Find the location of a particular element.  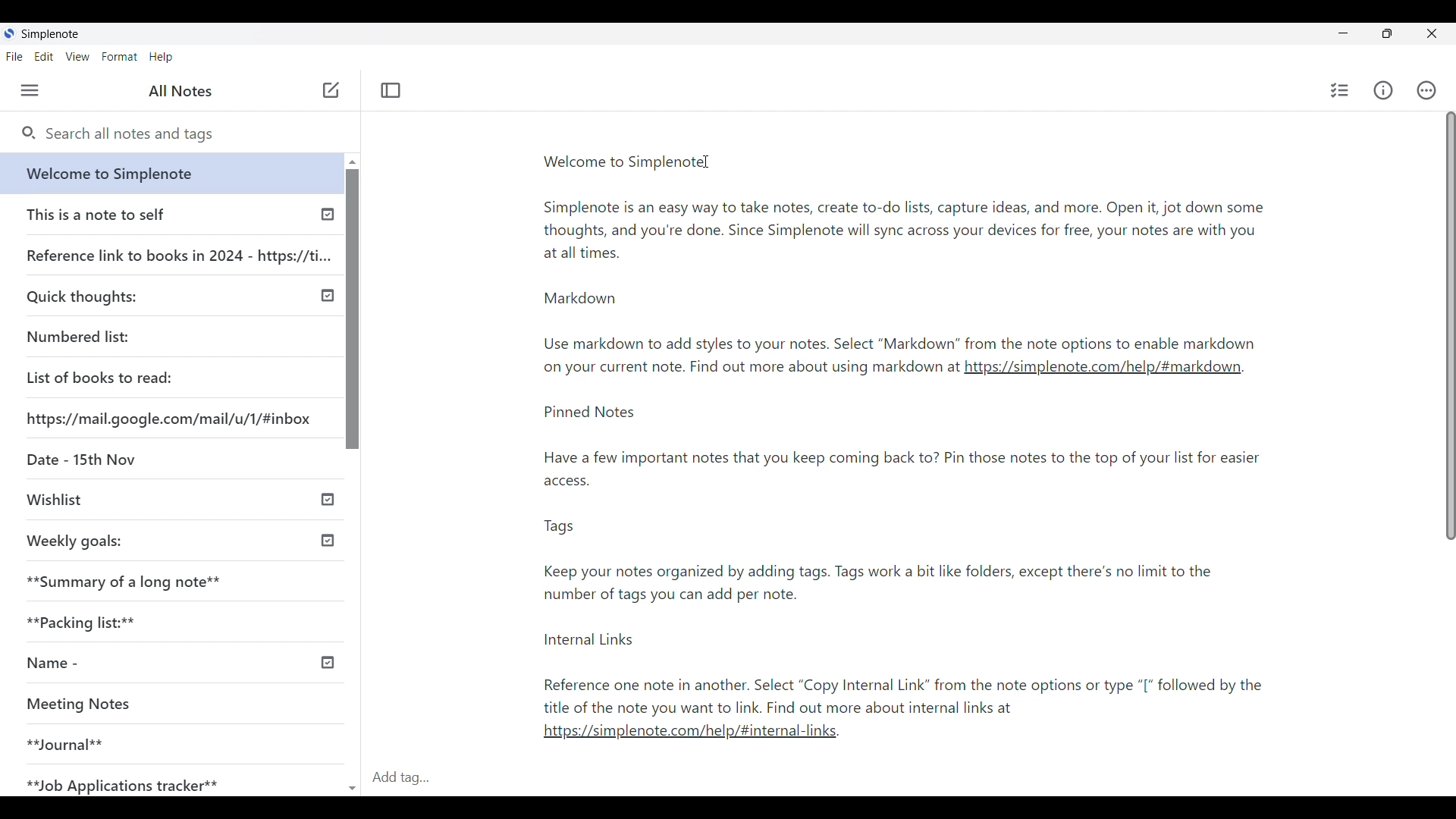

Insert checklist is located at coordinates (1340, 90).